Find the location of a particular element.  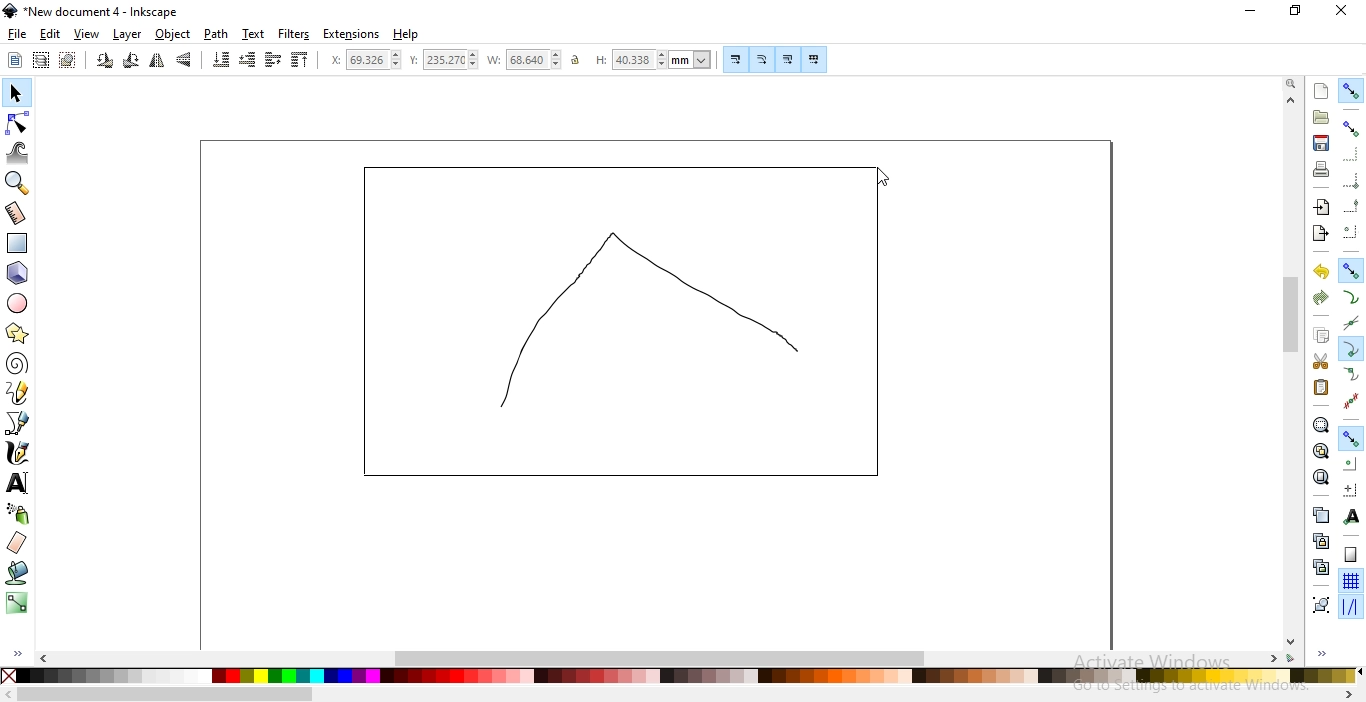

text is located at coordinates (254, 33).